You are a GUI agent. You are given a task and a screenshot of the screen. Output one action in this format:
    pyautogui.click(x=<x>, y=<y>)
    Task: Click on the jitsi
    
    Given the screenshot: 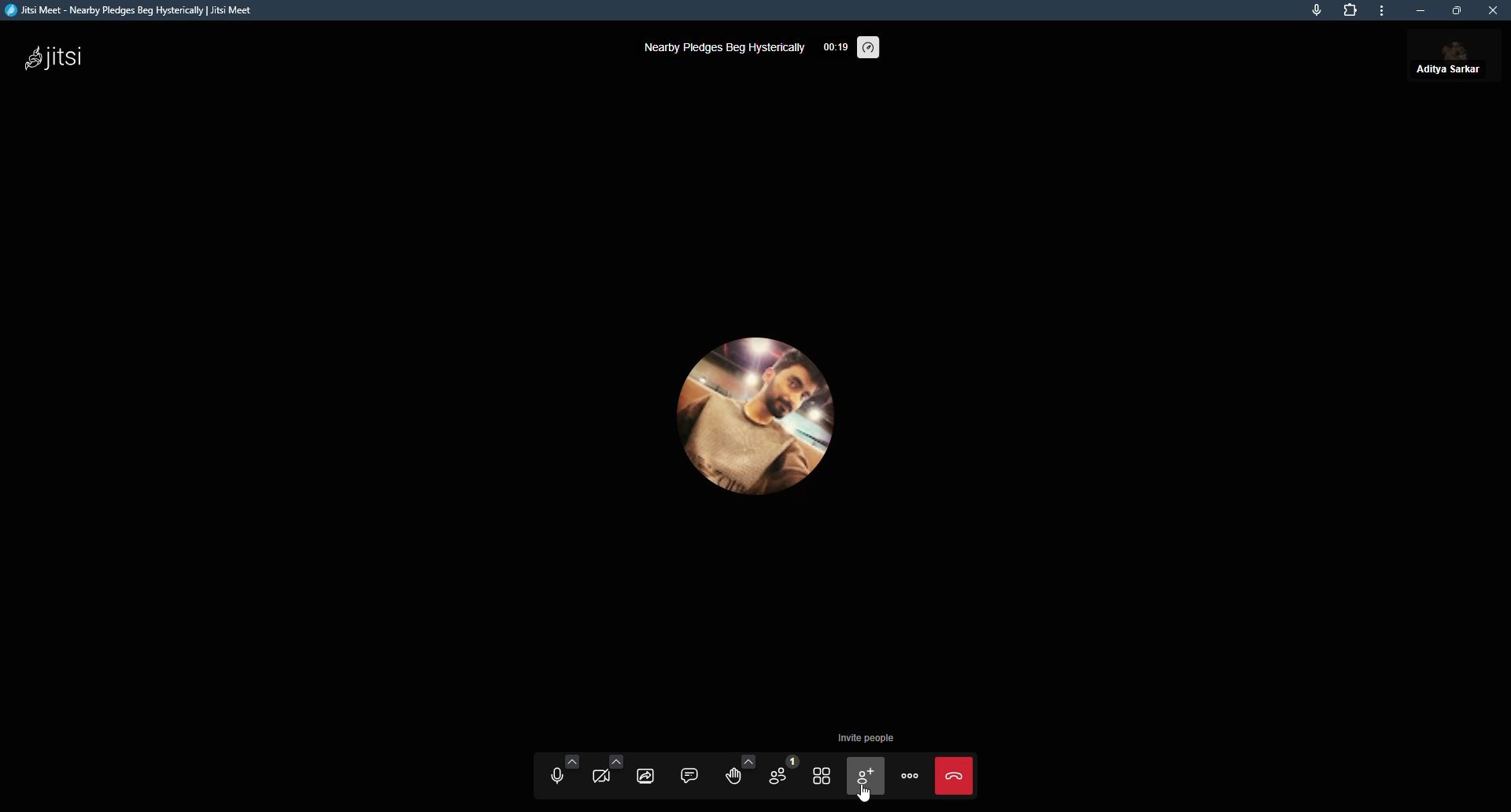 What is the action you would take?
    pyautogui.click(x=130, y=13)
    